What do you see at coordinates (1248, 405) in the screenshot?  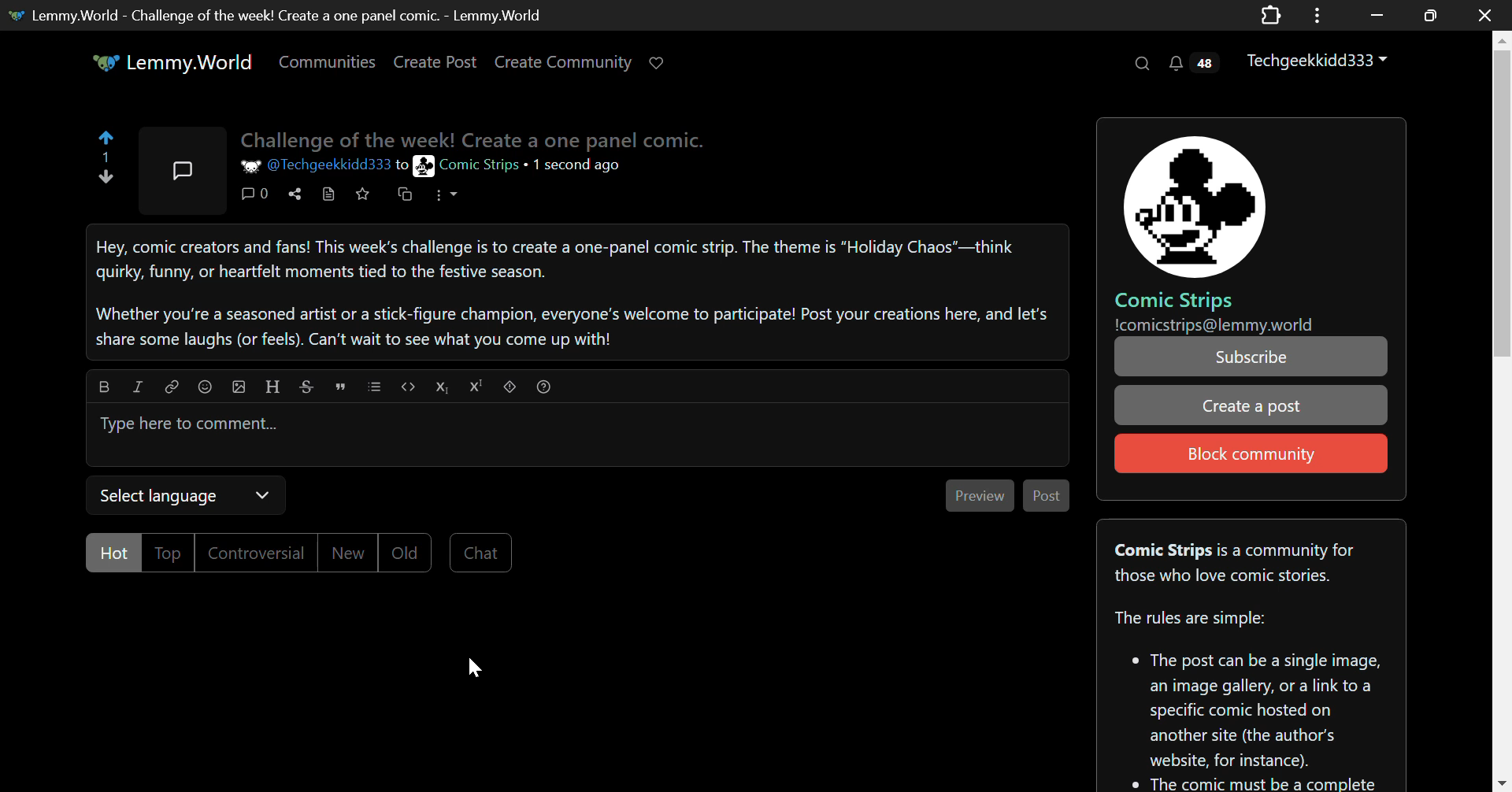 I see `Create a post` at bounding box center [1248, 405].